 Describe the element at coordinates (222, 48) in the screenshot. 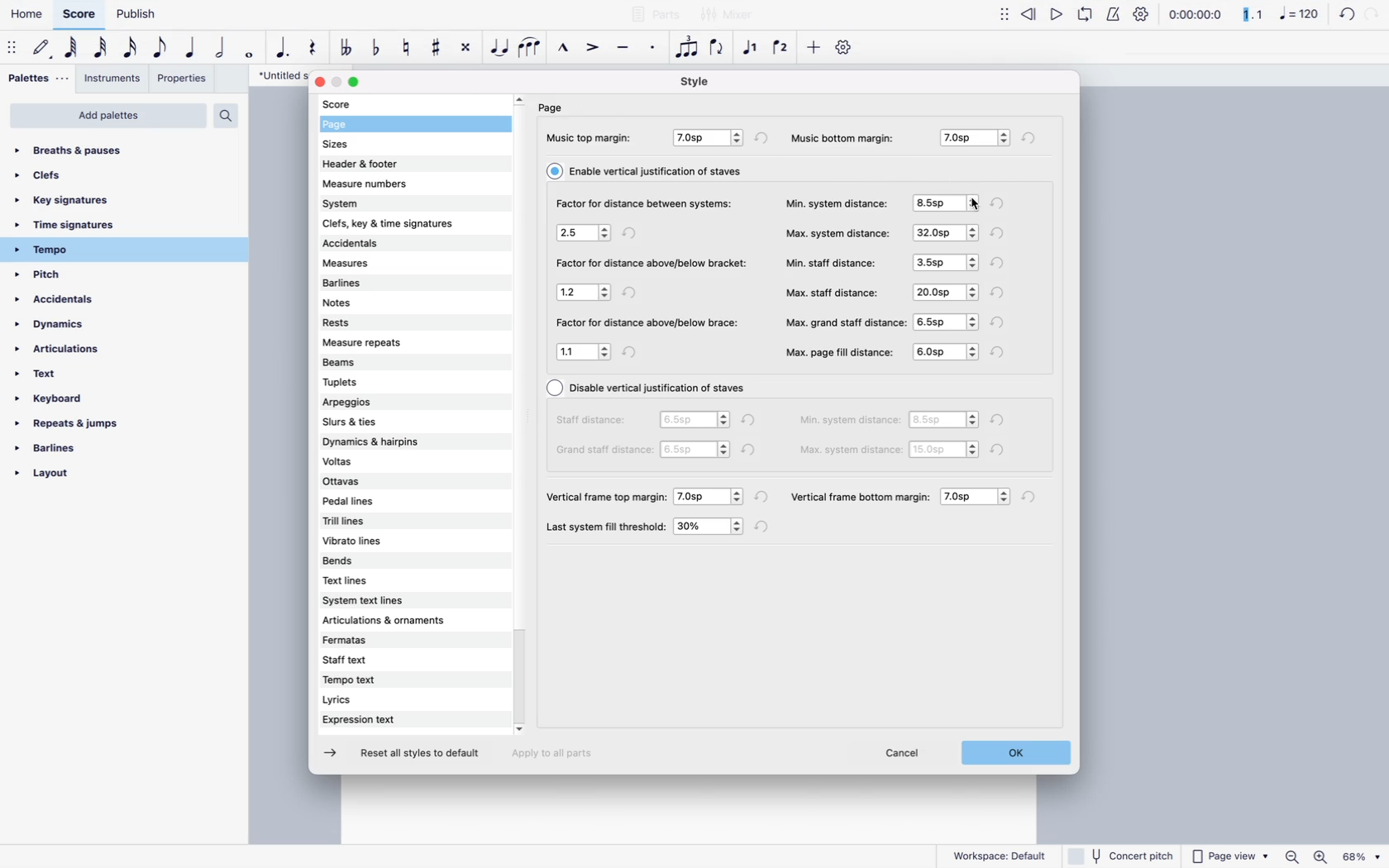

I see `half note` at that location.